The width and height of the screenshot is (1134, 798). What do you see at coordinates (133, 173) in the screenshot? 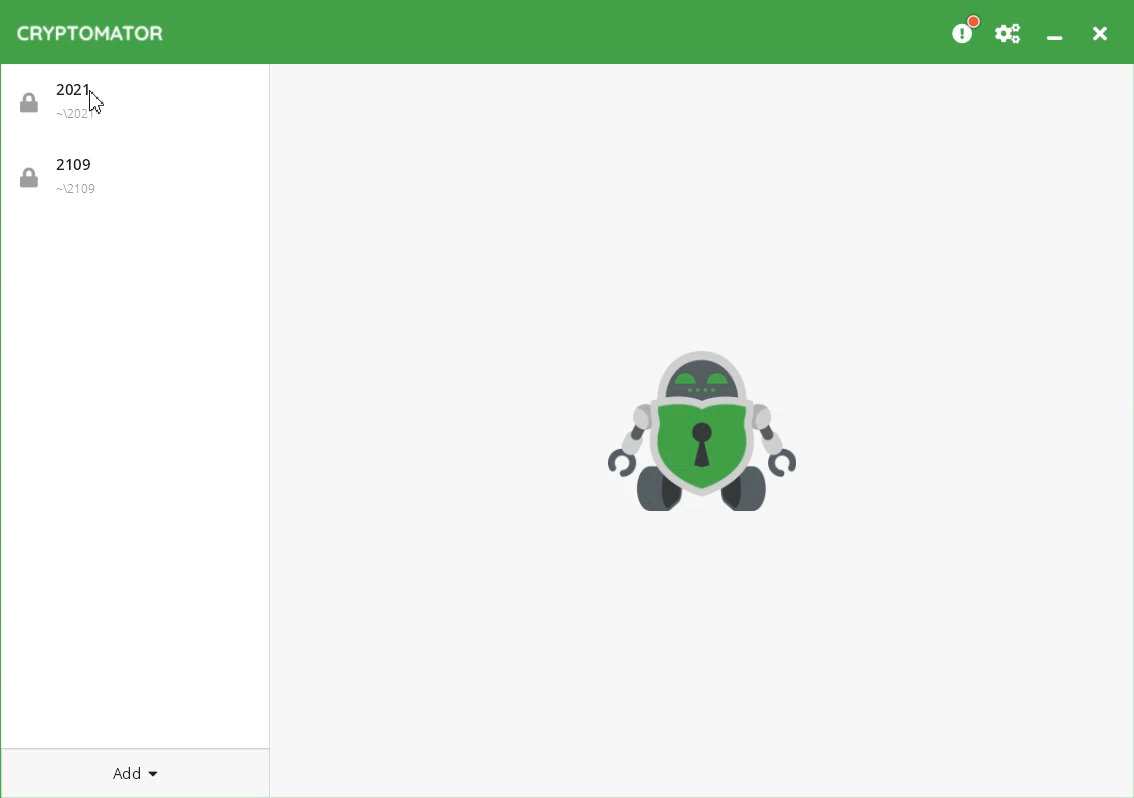
I see `2109 - Vault` at bounding box center [133, 173].